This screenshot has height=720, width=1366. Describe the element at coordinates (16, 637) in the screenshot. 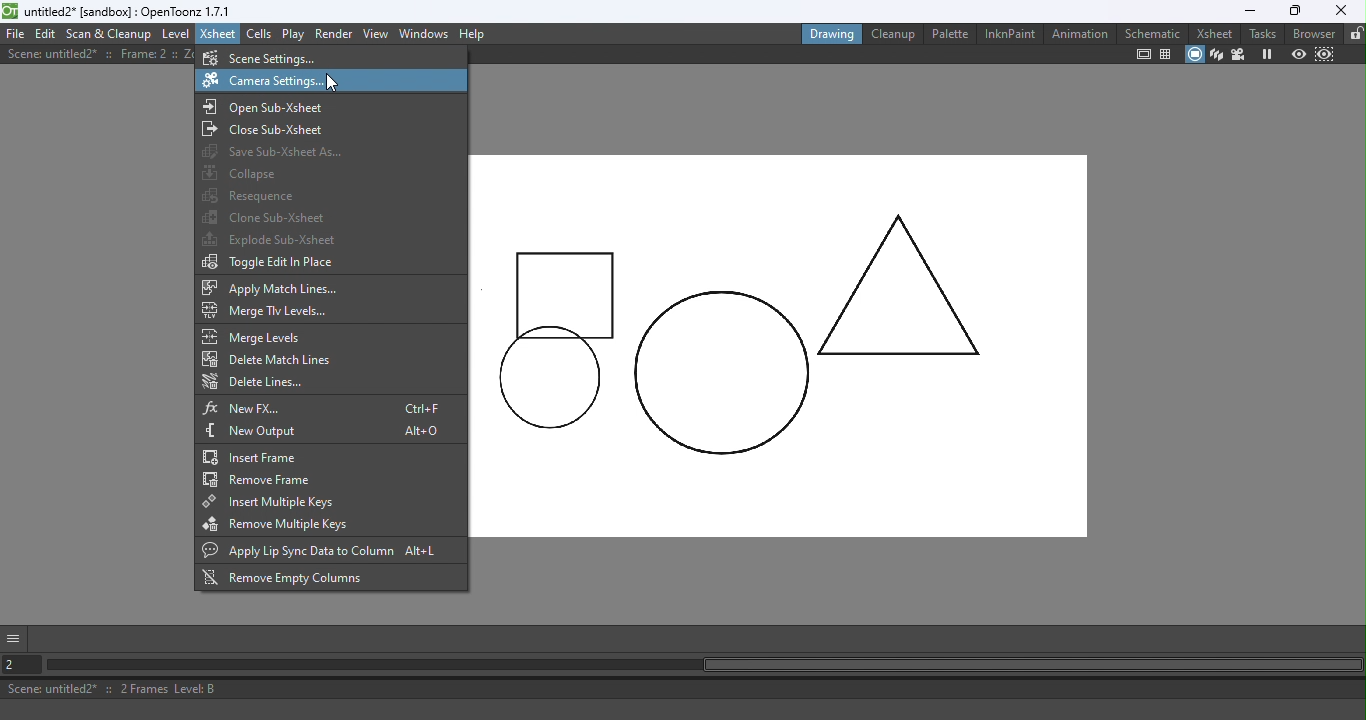

I see `More options` at that location.